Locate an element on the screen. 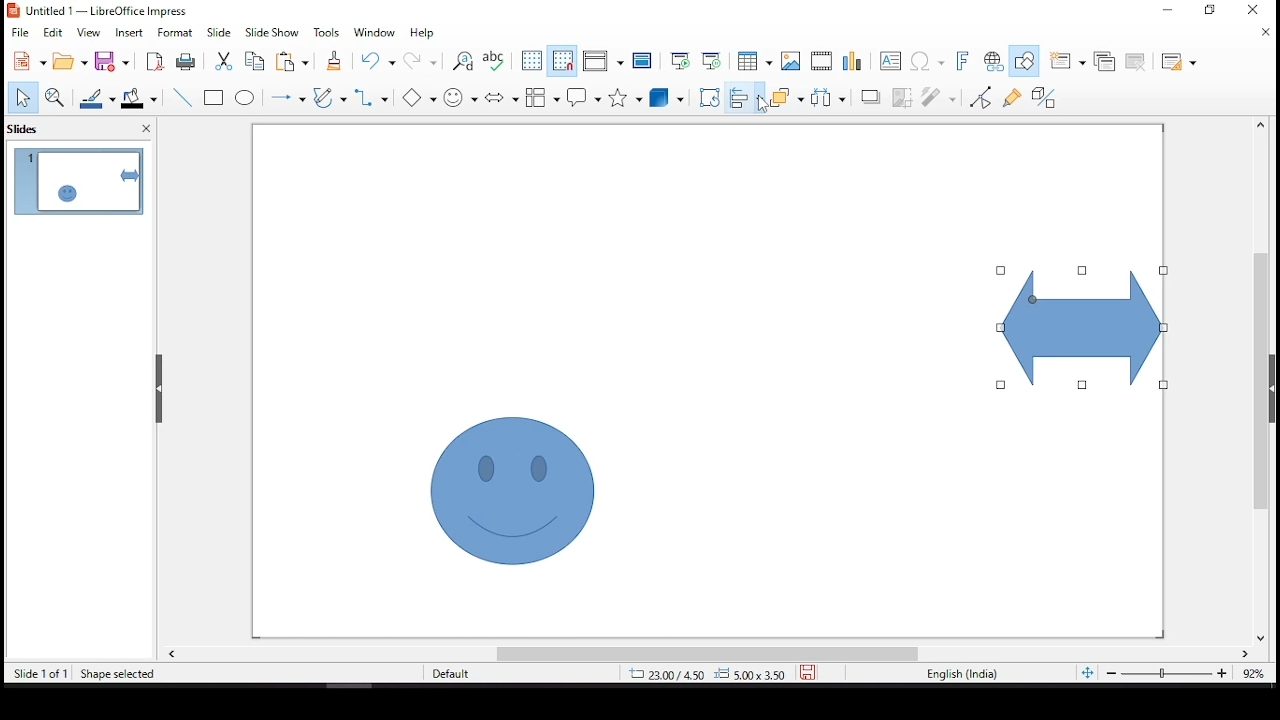 This screenshot has width=1280, height=720. delete slide is located at coordinates (1139, 62).